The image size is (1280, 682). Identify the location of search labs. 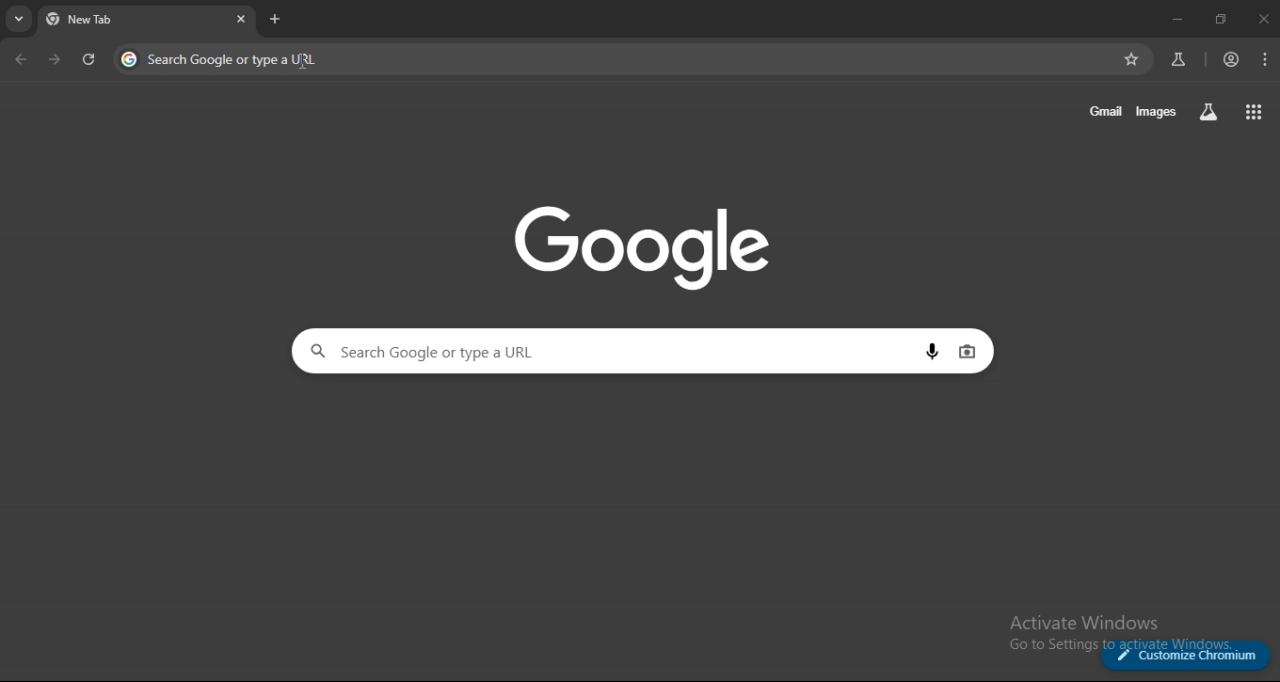
(1178, 59).